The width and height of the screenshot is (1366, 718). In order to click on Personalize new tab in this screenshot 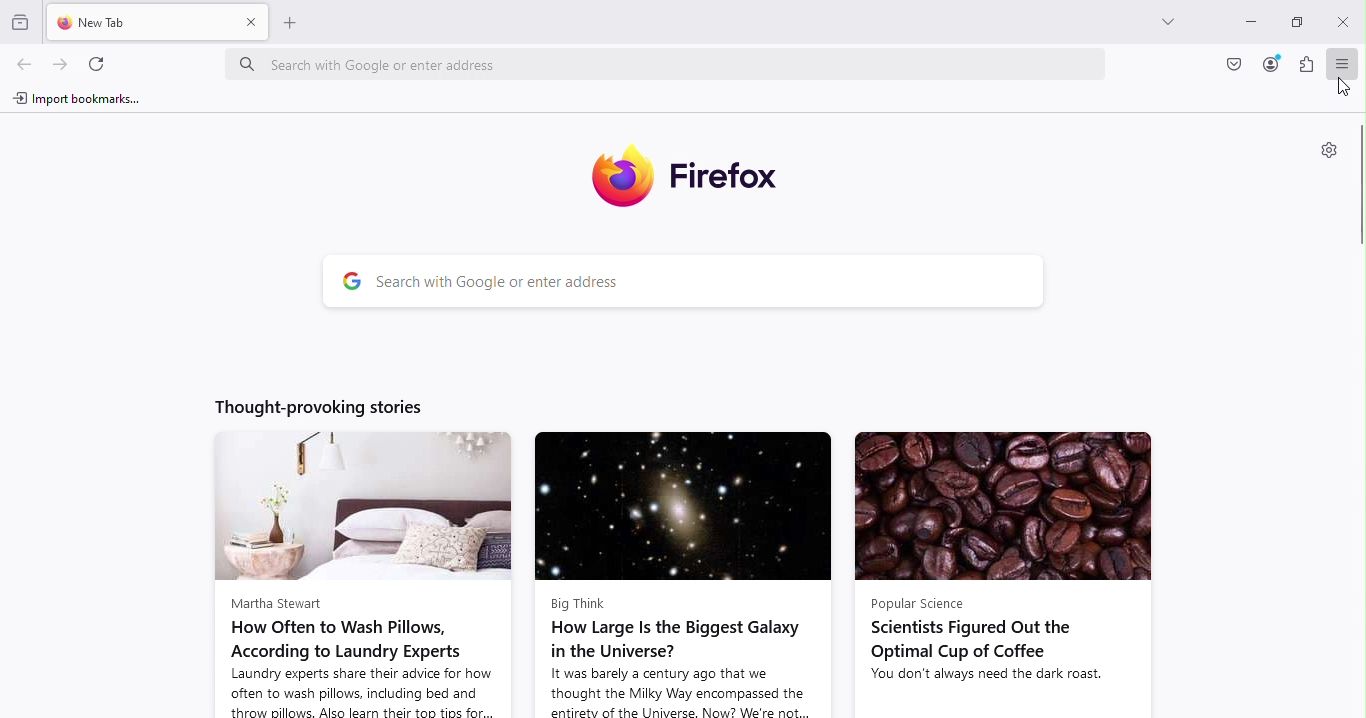, I will do `click(1328, 151)`.